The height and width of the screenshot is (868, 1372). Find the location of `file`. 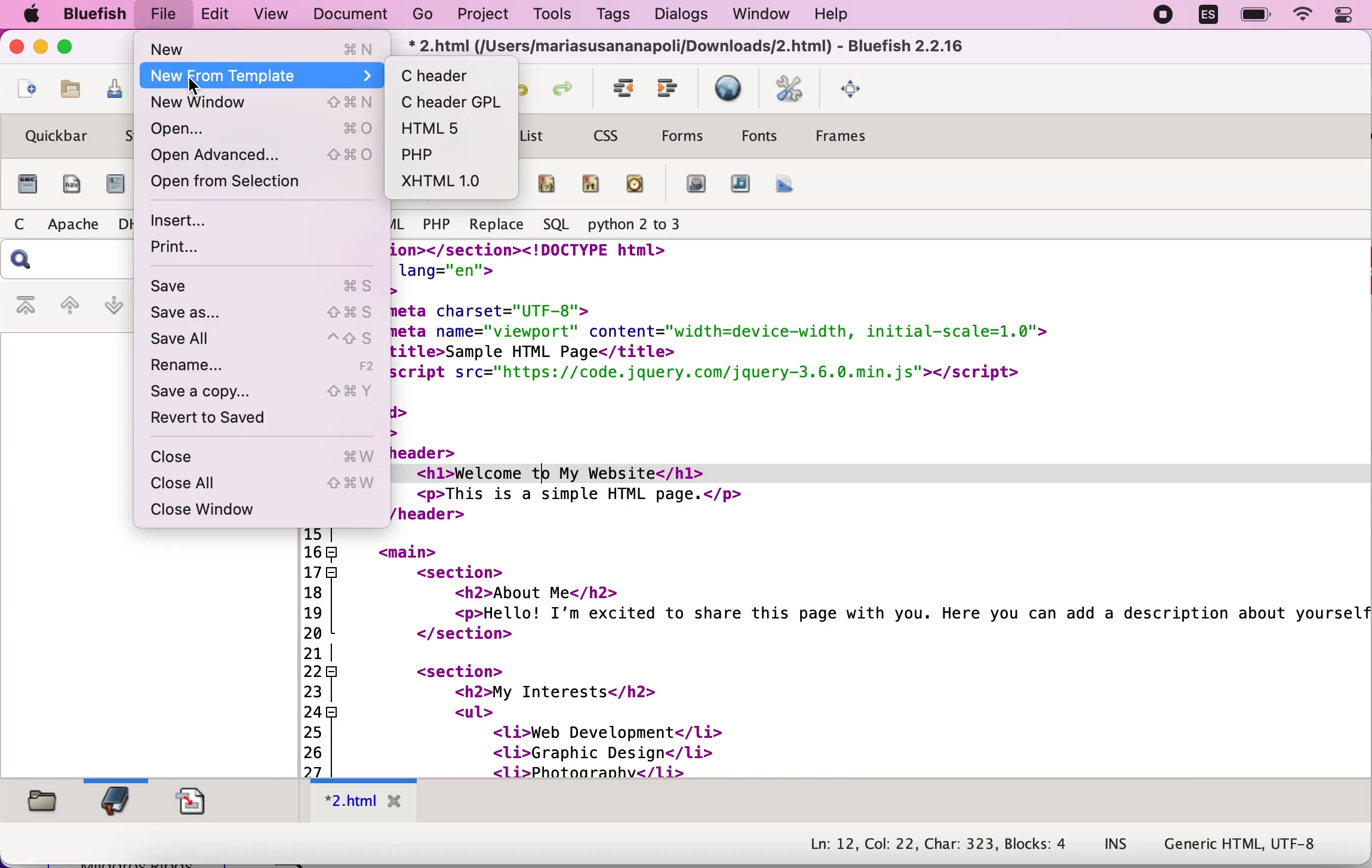

file is located at coordinates (165, 13).